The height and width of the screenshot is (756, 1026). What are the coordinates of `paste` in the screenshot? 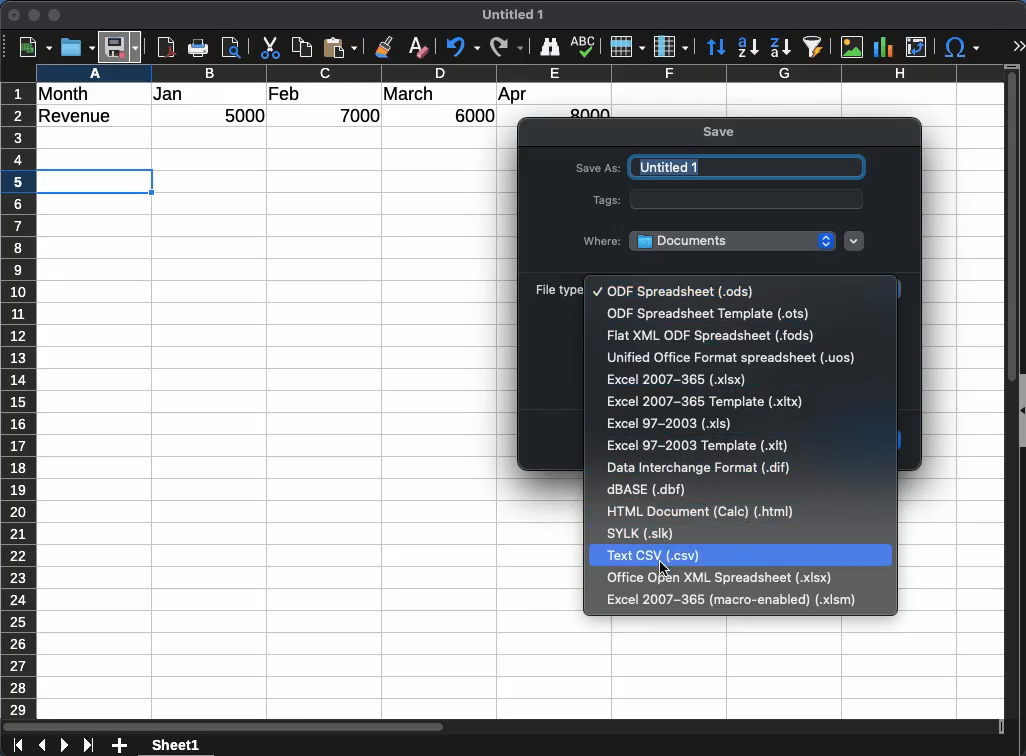 It's located at (342, 48).